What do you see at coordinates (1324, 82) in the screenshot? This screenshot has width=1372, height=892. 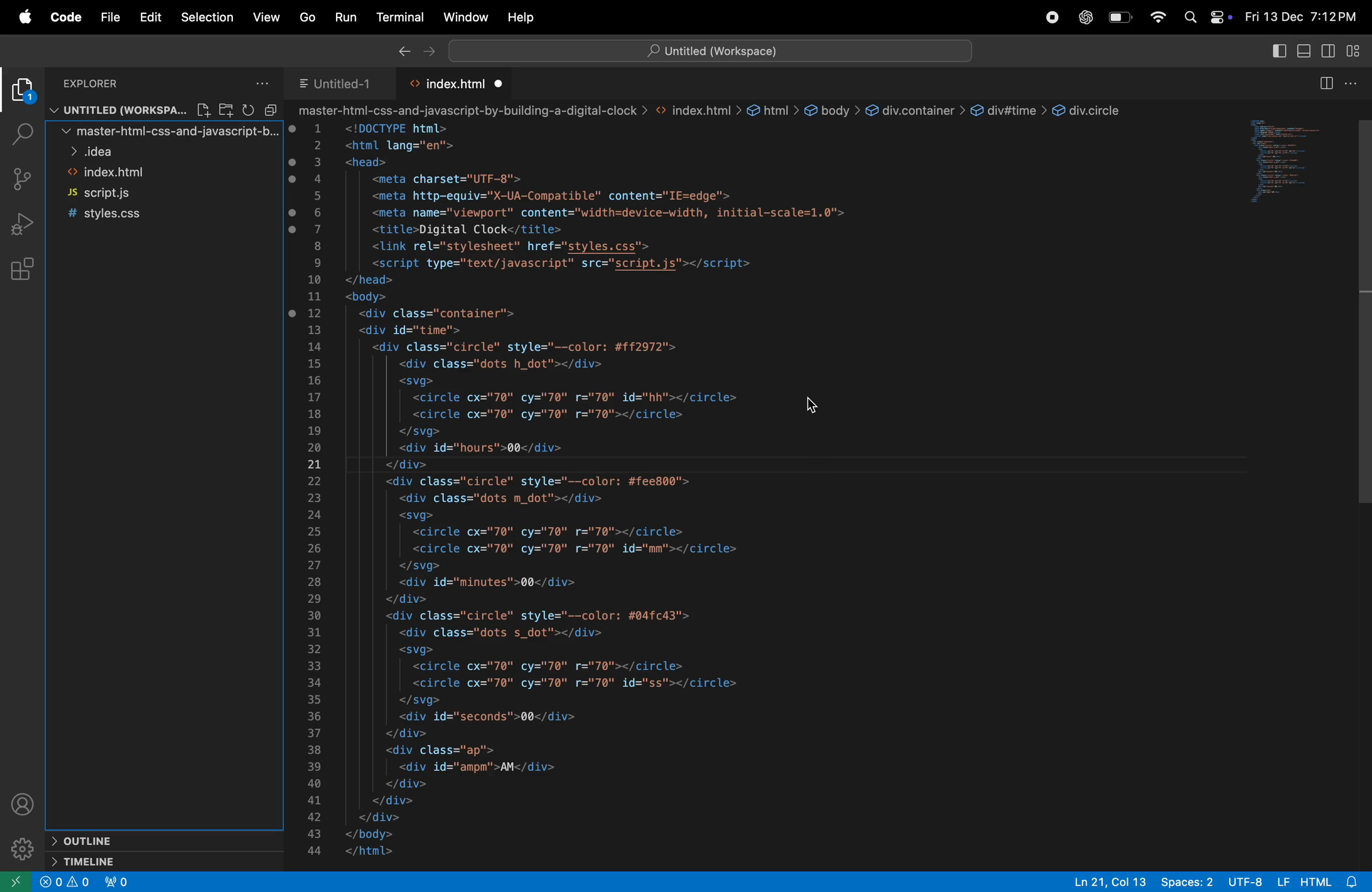 I see `split editor` at bounding box center [1324, 82].